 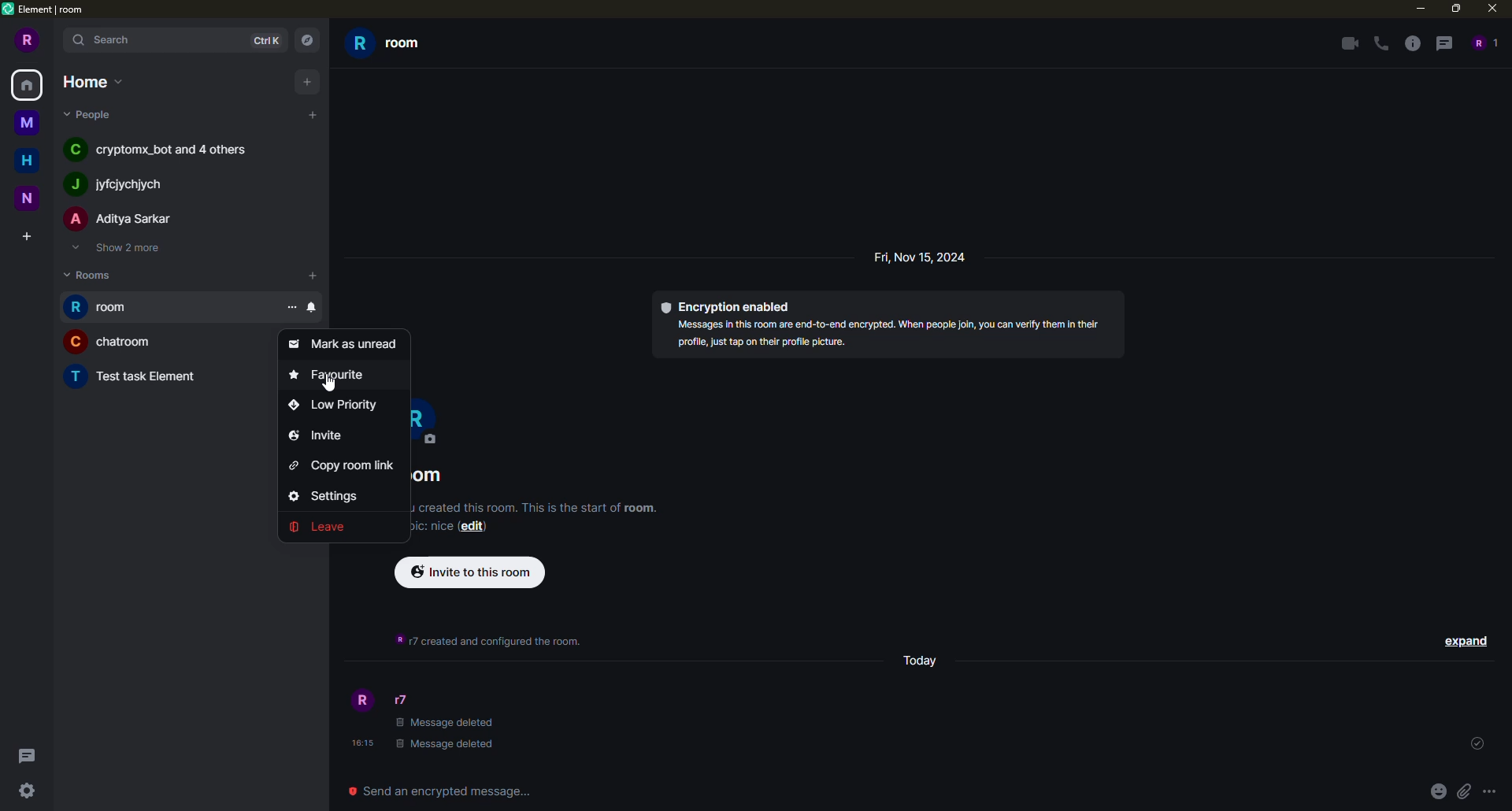 I want to click on invite to this room, so click(x=470, y=572).